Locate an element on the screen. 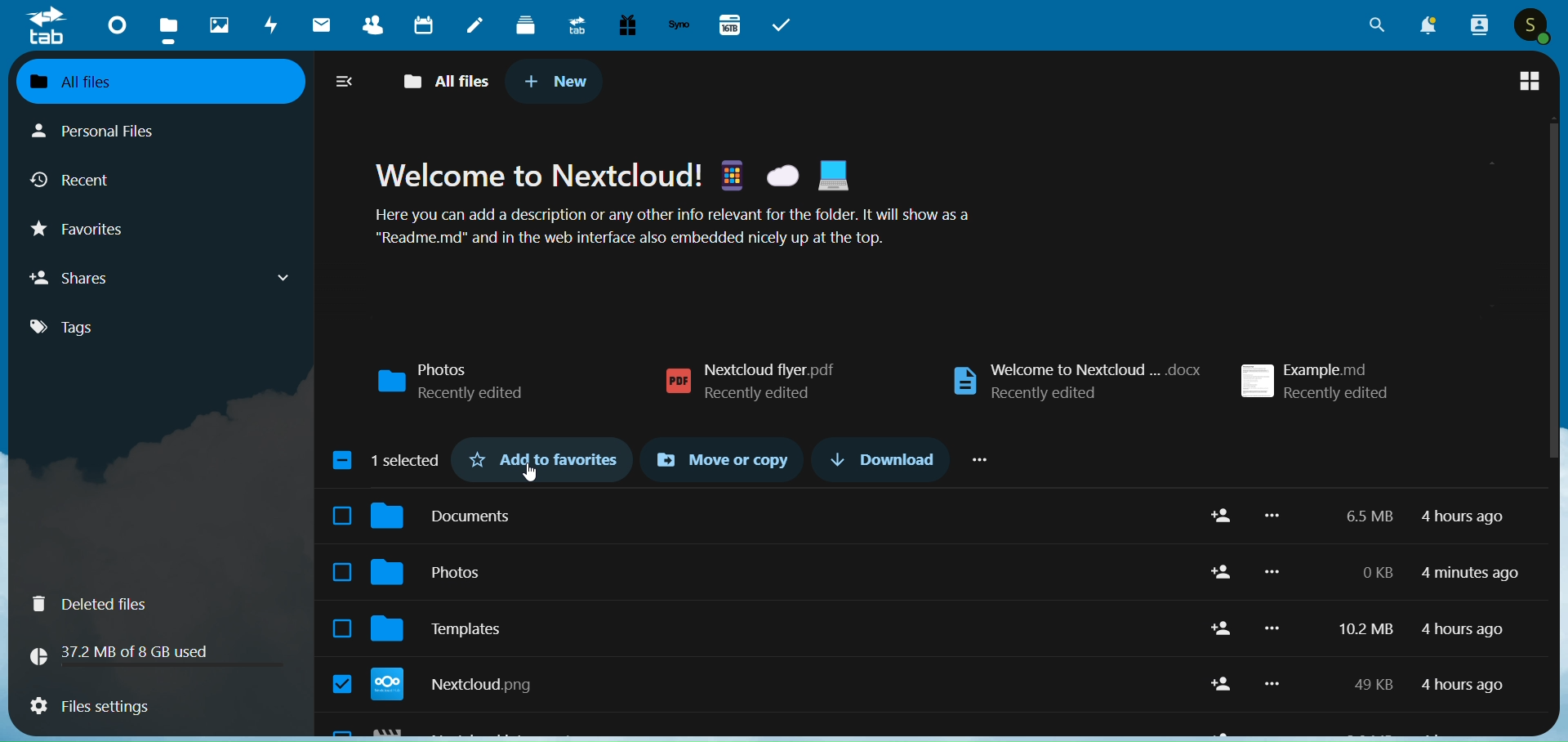 Image resolution: width=1568 pixels, height=742 pixels. all files is located at coordinates (443, 81).